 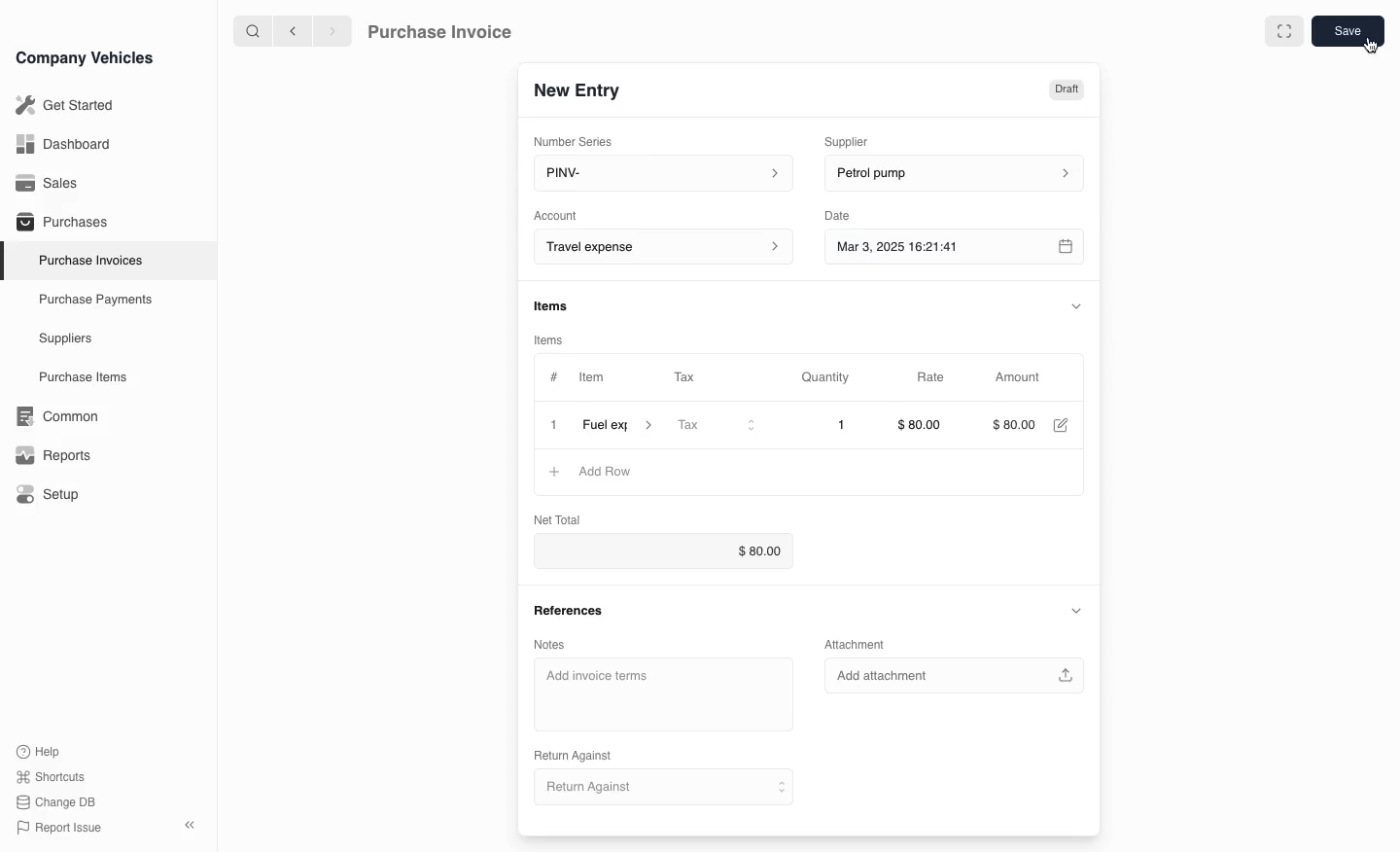 What do you see at coordinates (716, 427) in the screenshot?
I see `Tax ` at bounding box center [716, 427].